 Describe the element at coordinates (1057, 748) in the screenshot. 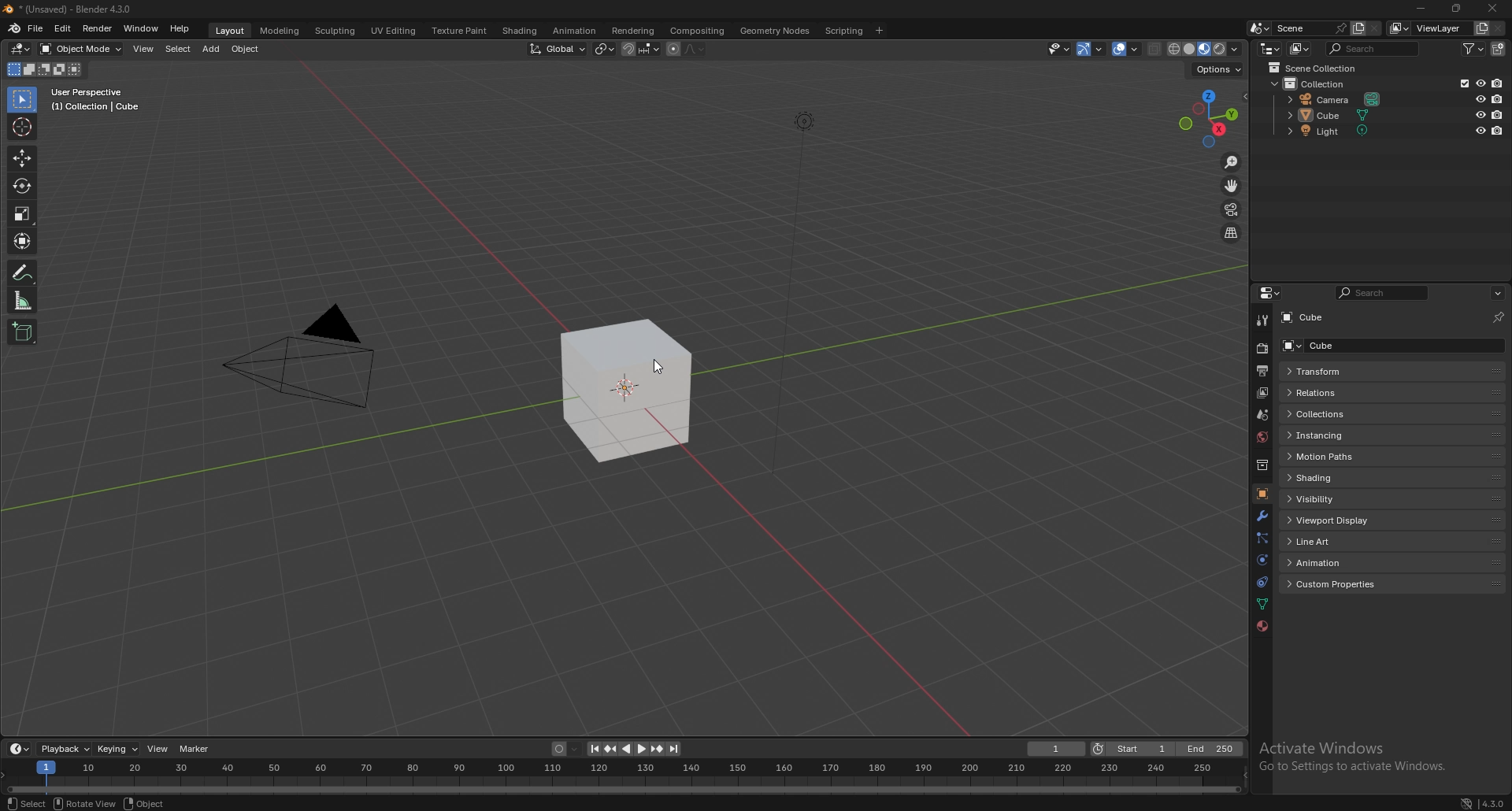

I see `current frame` at that location.